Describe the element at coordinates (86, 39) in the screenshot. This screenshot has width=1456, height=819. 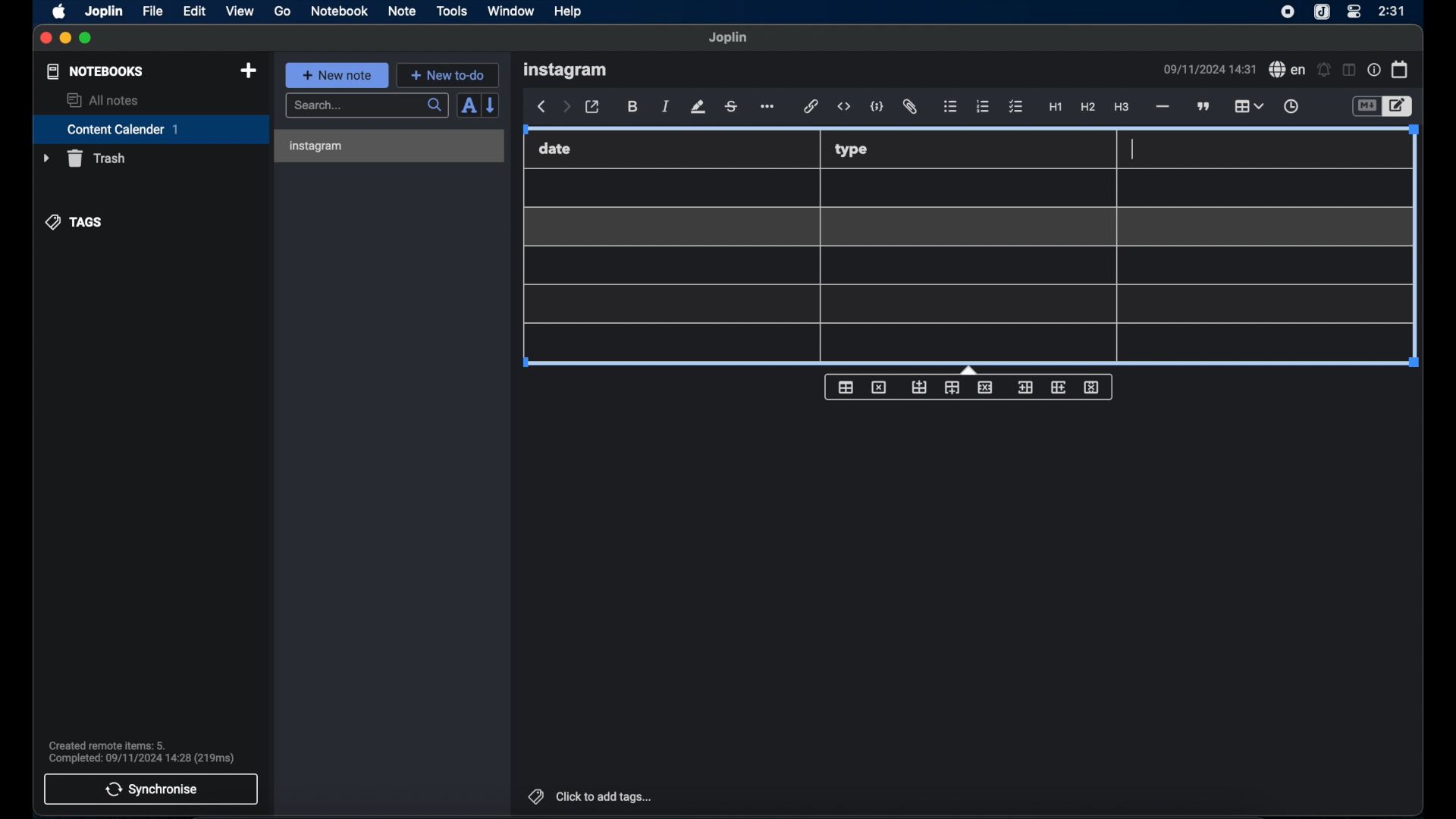
I see `maximize` at that location.